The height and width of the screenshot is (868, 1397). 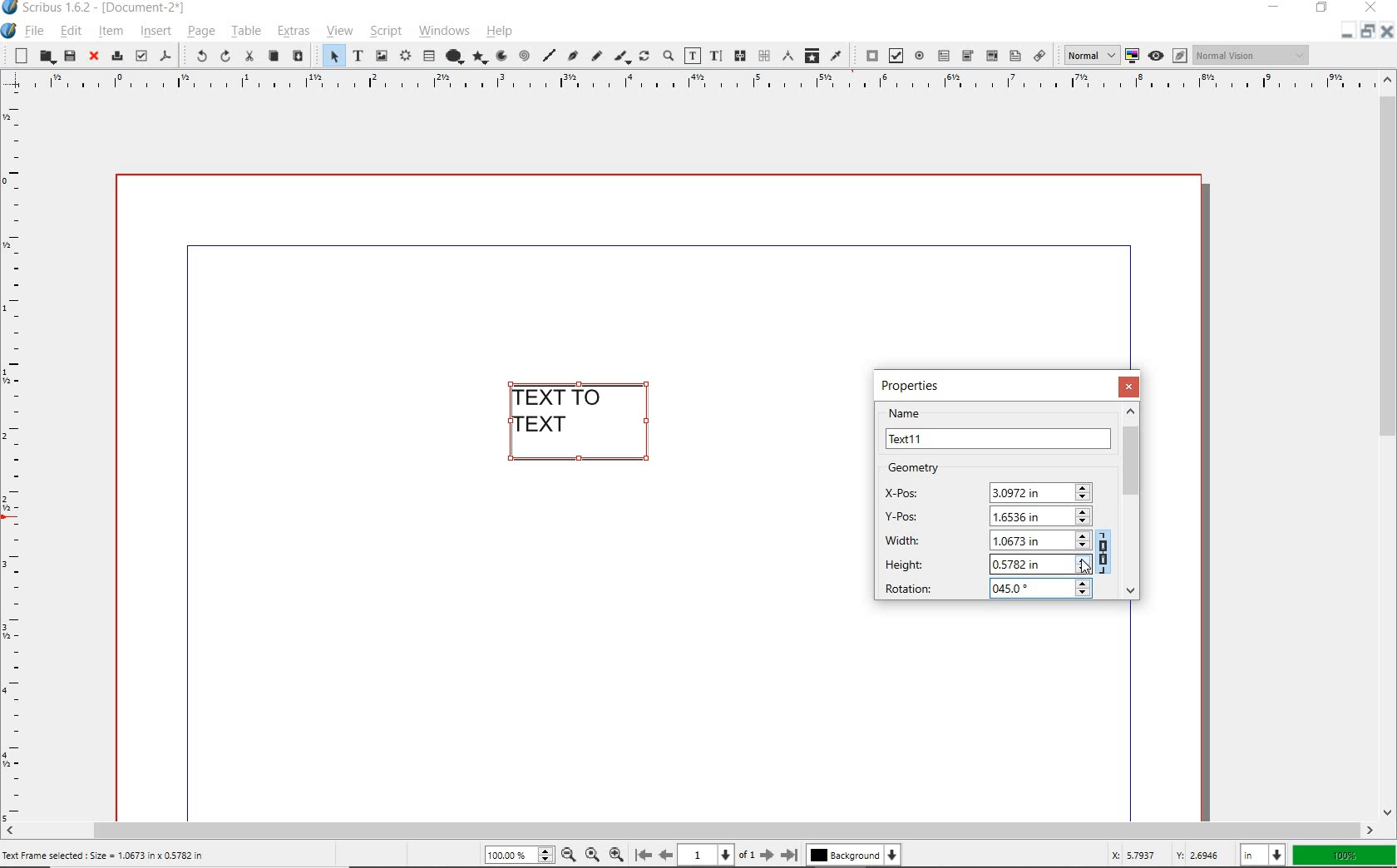 What do you see at coordinates (573, 854) in the screenshot?
I see `zoom out` at bounding box center [573, 854].